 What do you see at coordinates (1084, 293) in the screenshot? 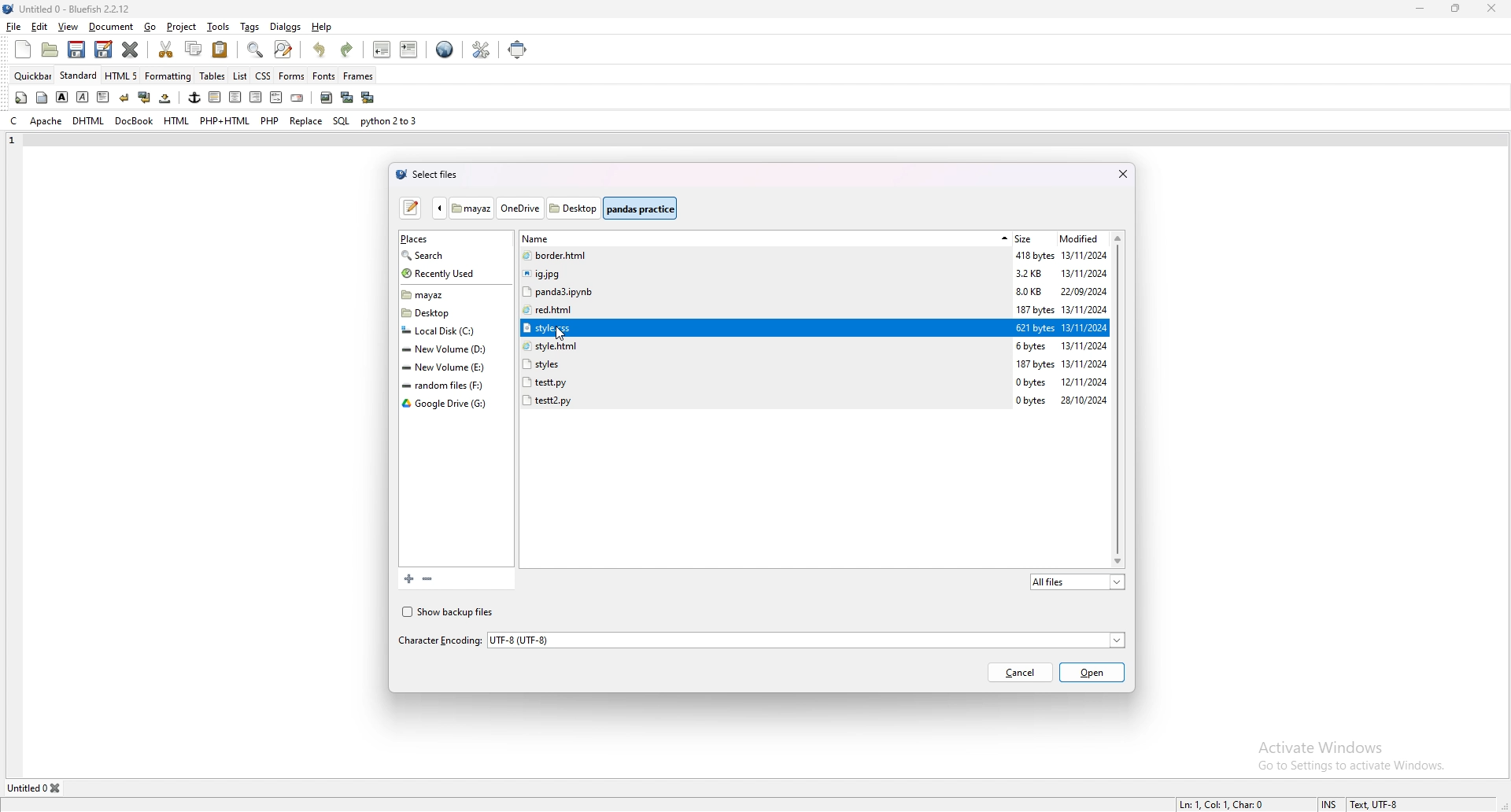
I see `22/09/2024` at bounding box center [1084, 293].